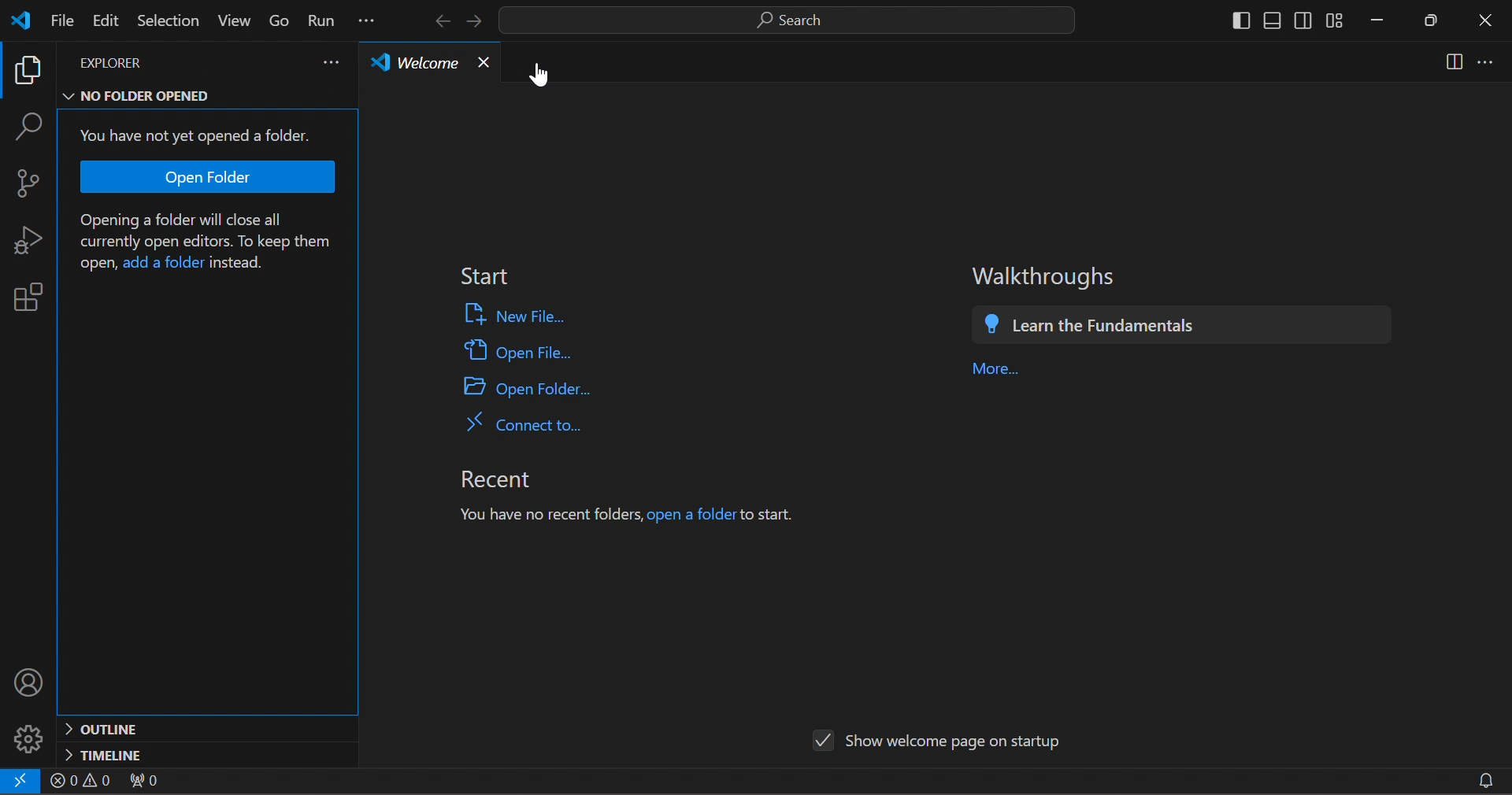 This screenshot has width=1512, height=795. What do you see at coordinates (31, 68) in the screenshot?
I see `copy` at bounding box center [31, 68].